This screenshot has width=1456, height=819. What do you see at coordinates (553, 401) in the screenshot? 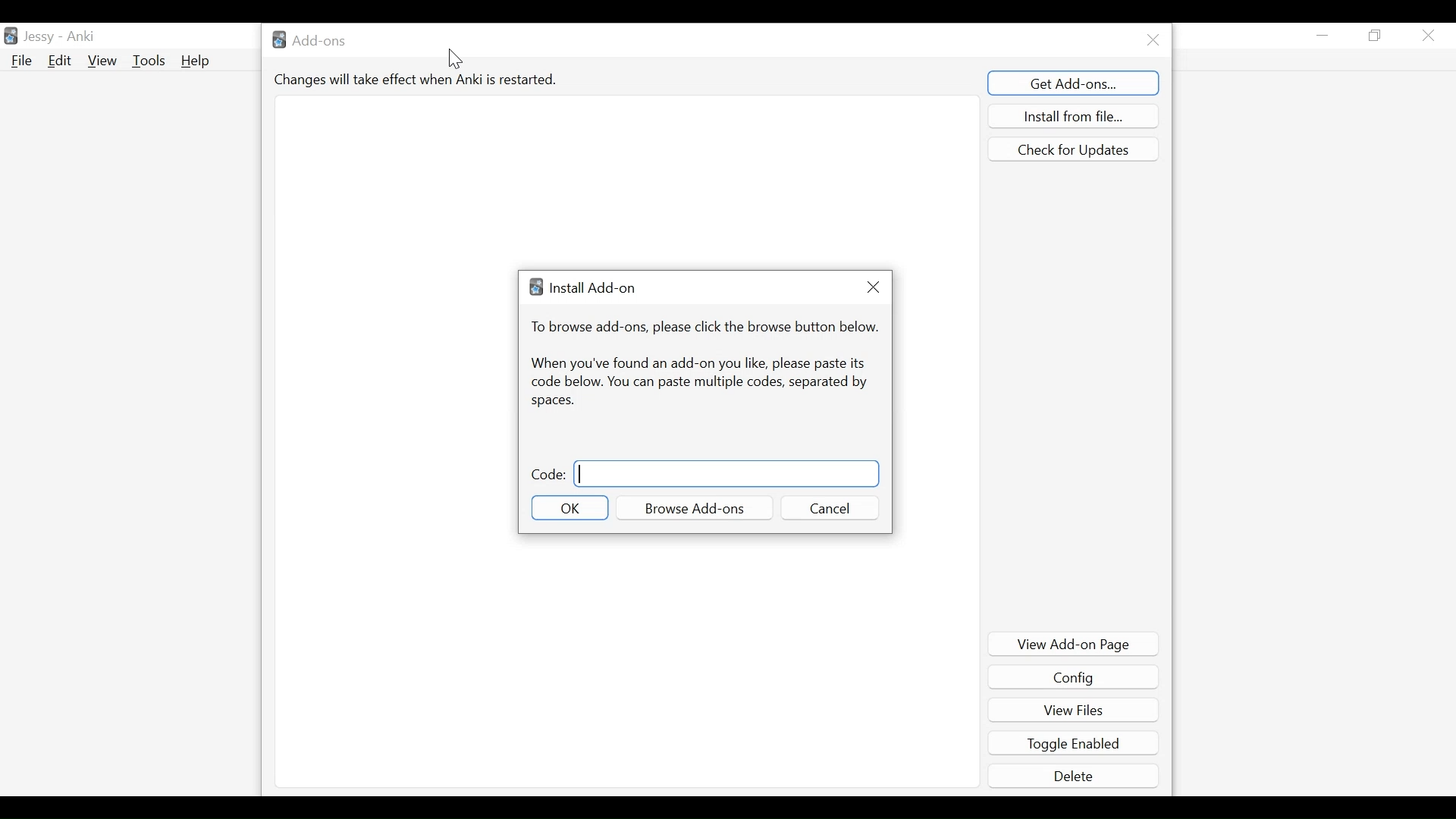
I see `Spaces` at bounding box center [553, 401].